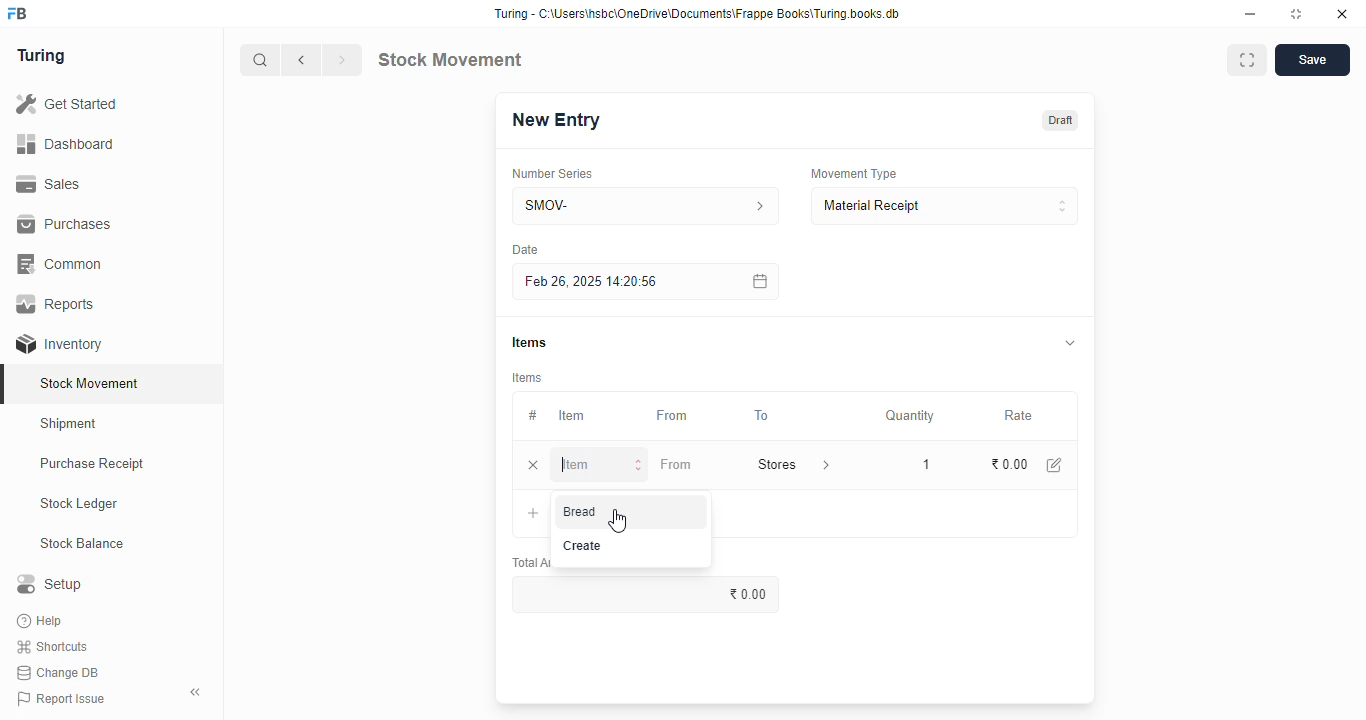 Image resolution: width=1366 pixels, height=720 pixels. I want to click on stores information, so click(824, 465).